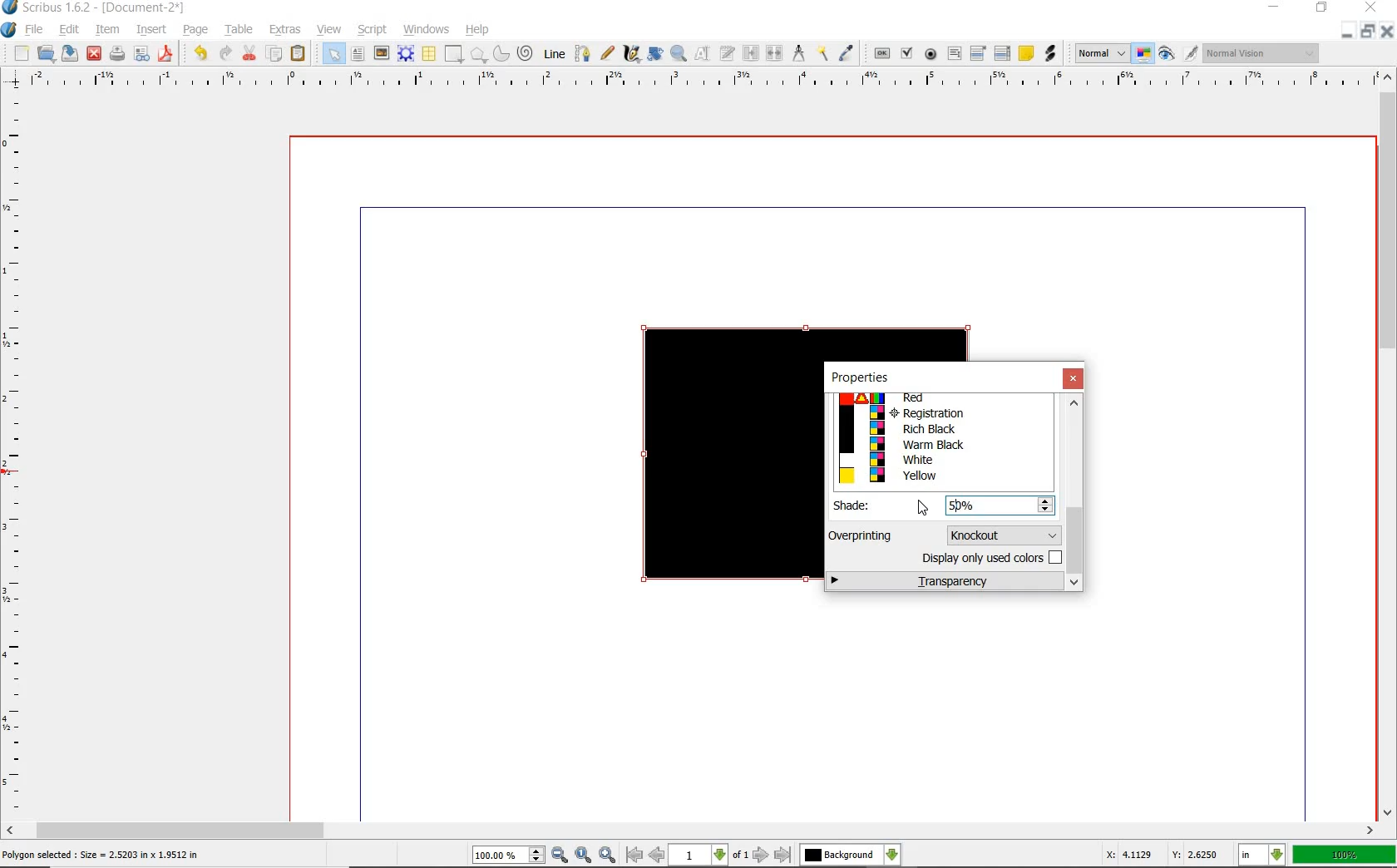 The image size is (1397, 868). What do you see at coordinates (196, 32) in the screenshot?
I see `page` at bounding box center [196, 32].